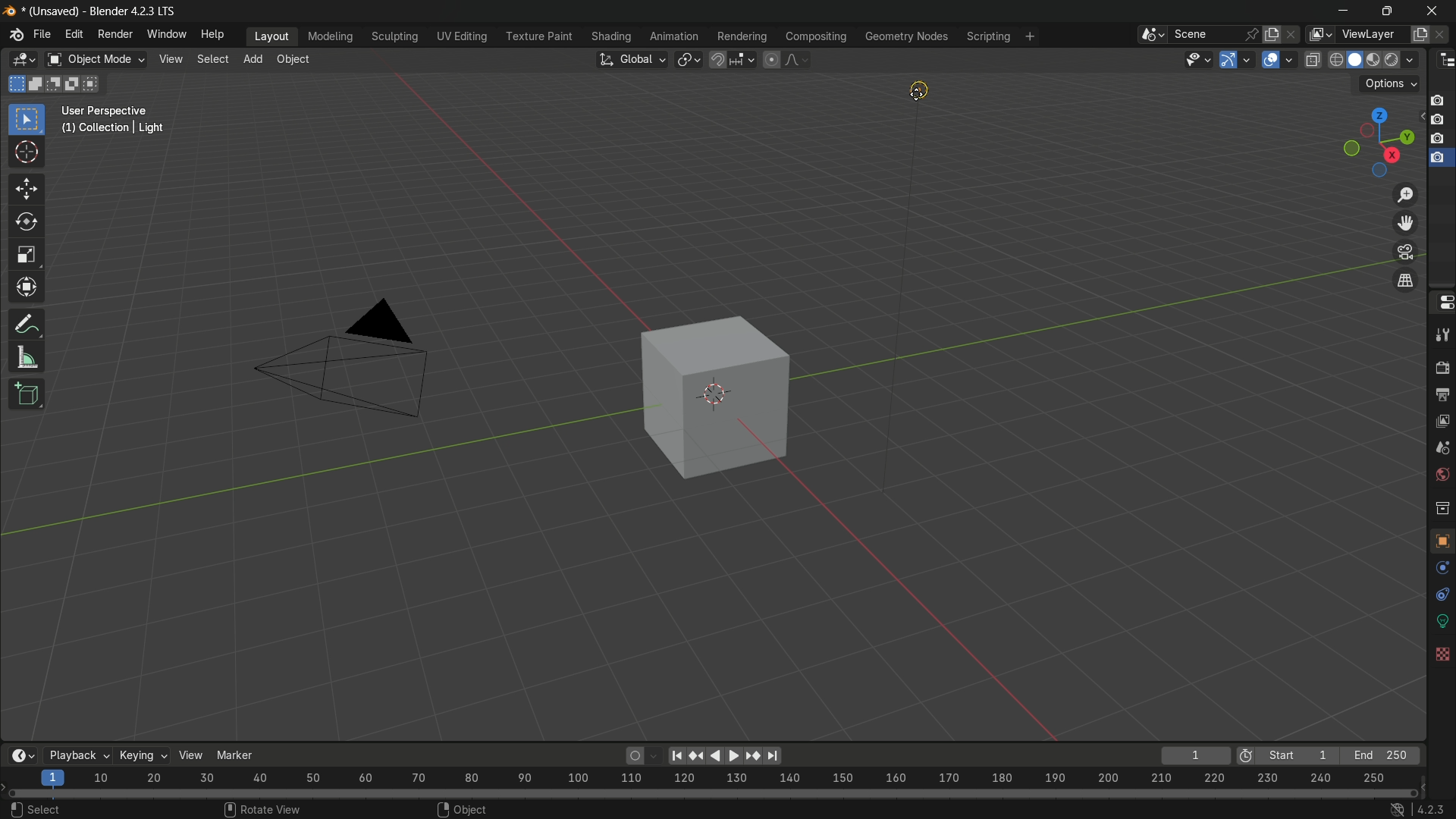  I want to click on capture, so click(1439, 123).